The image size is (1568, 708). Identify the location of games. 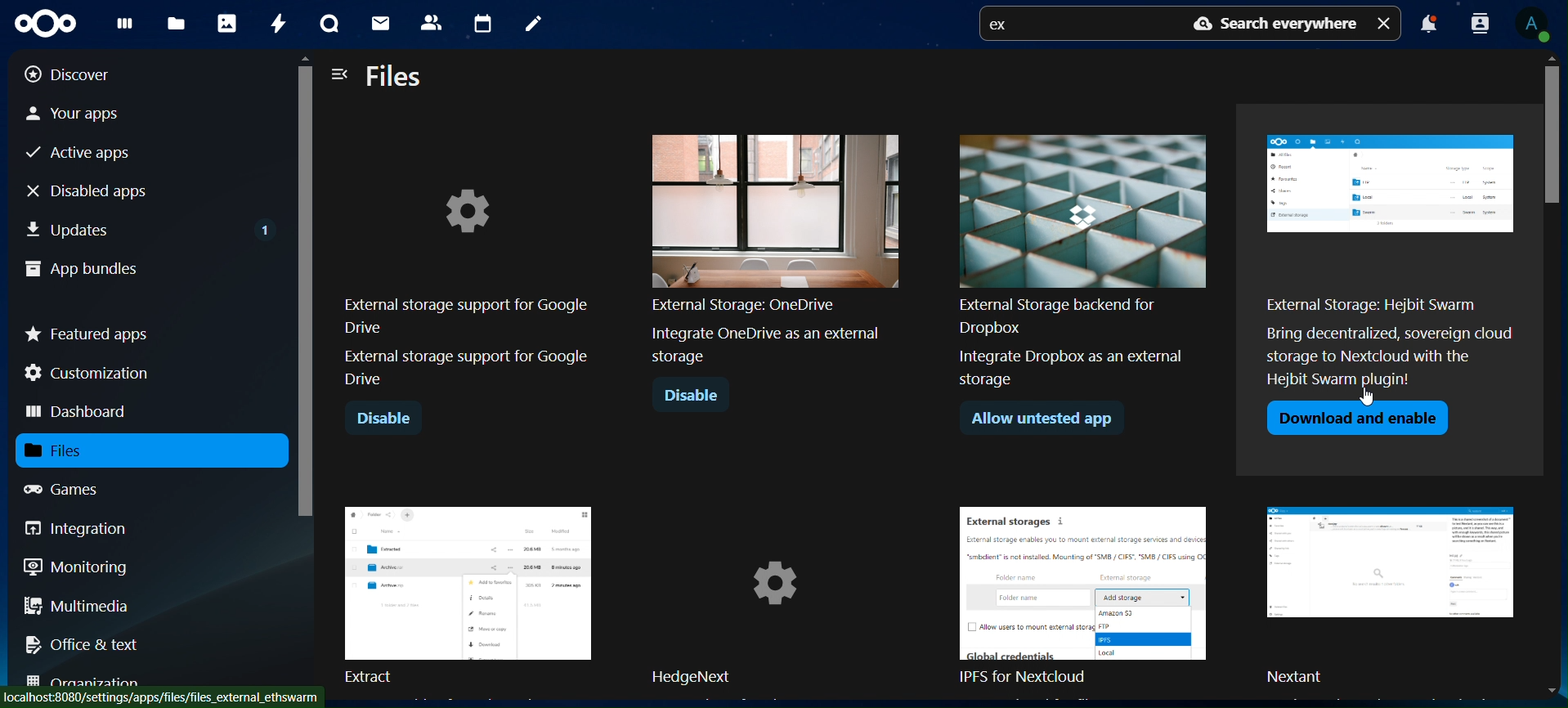
(77, 489).